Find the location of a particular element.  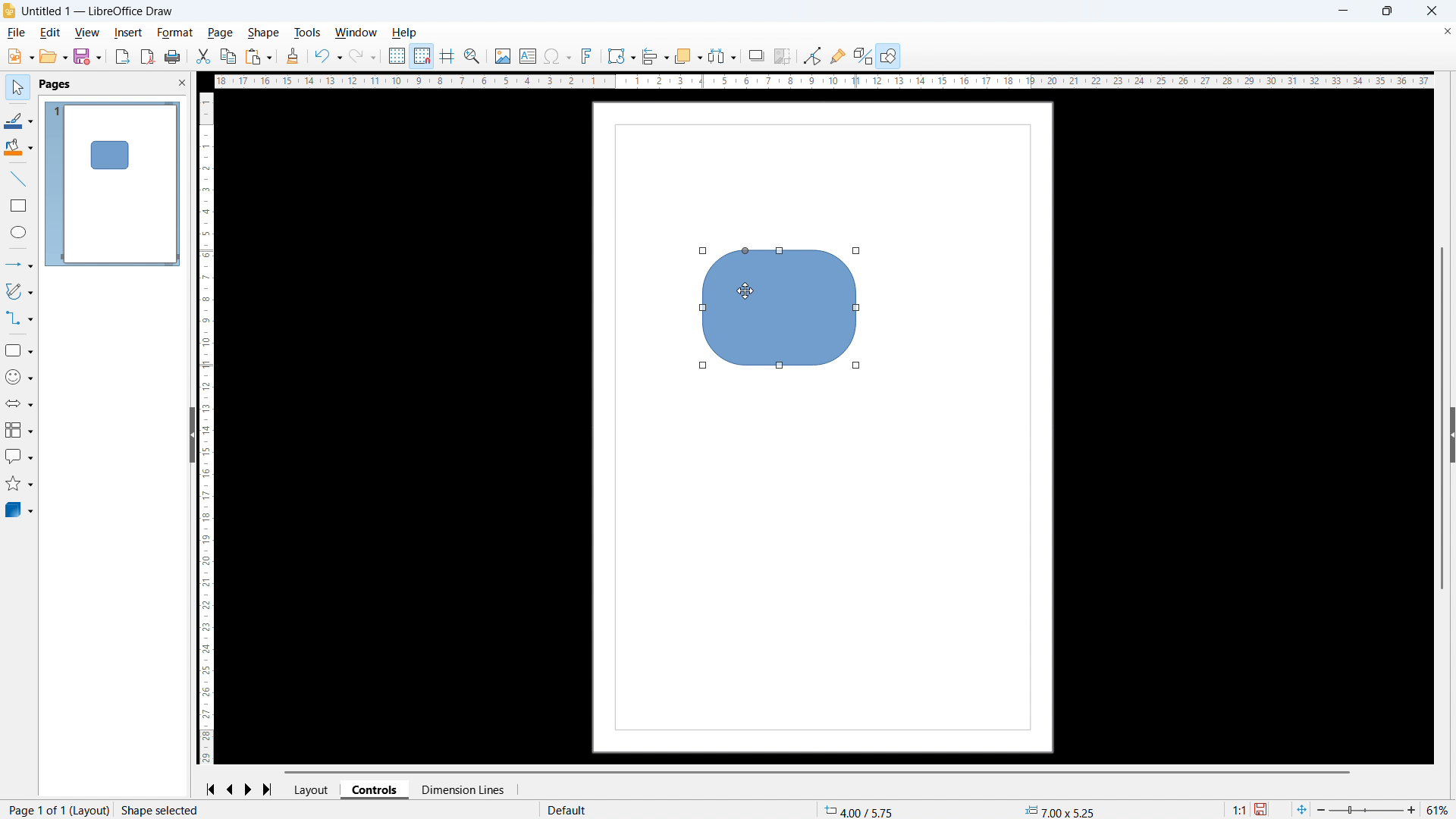

view  is located at coordinates (86, 33).